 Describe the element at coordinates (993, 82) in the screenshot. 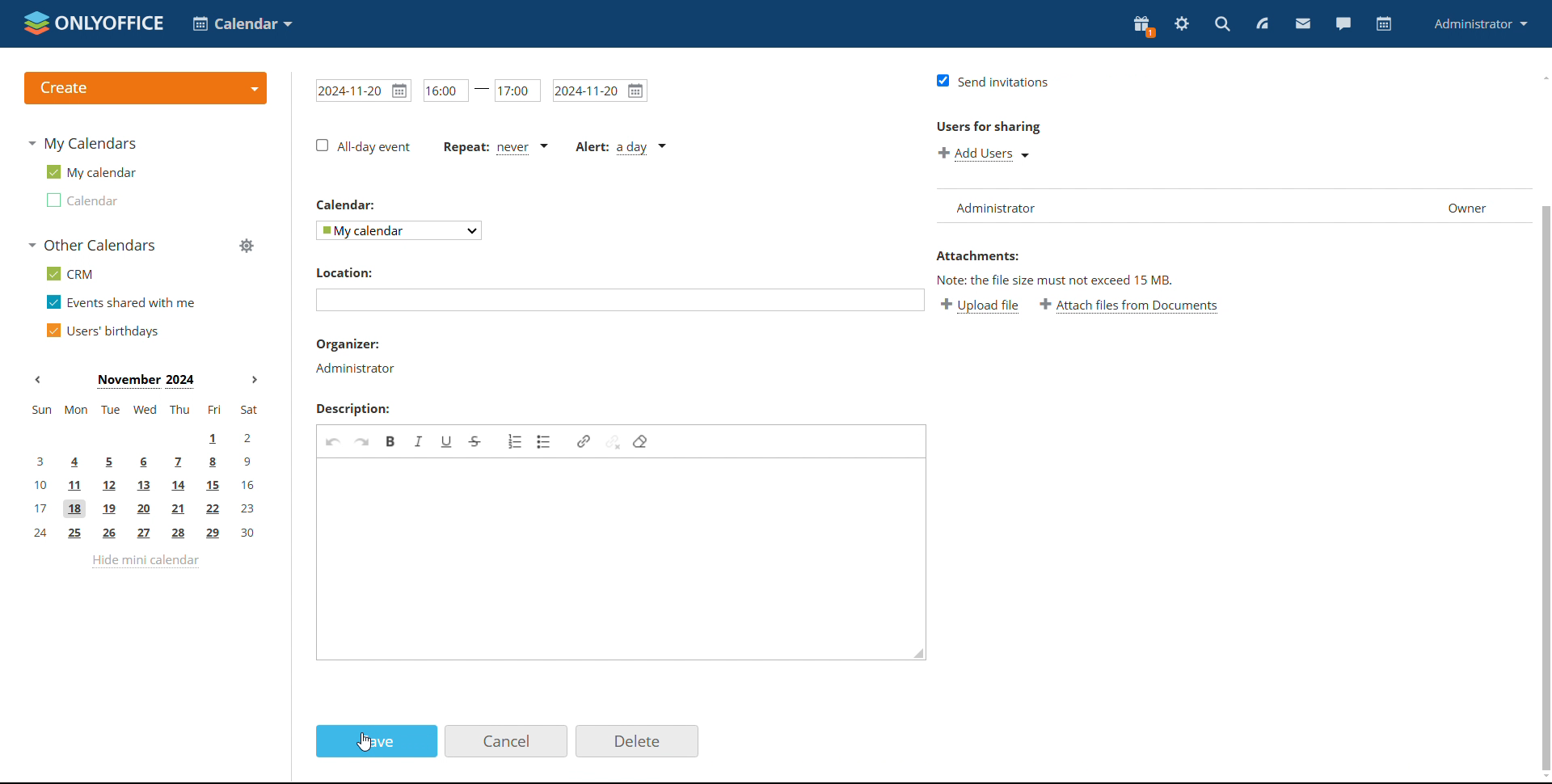

I see `send invitations` at that location.